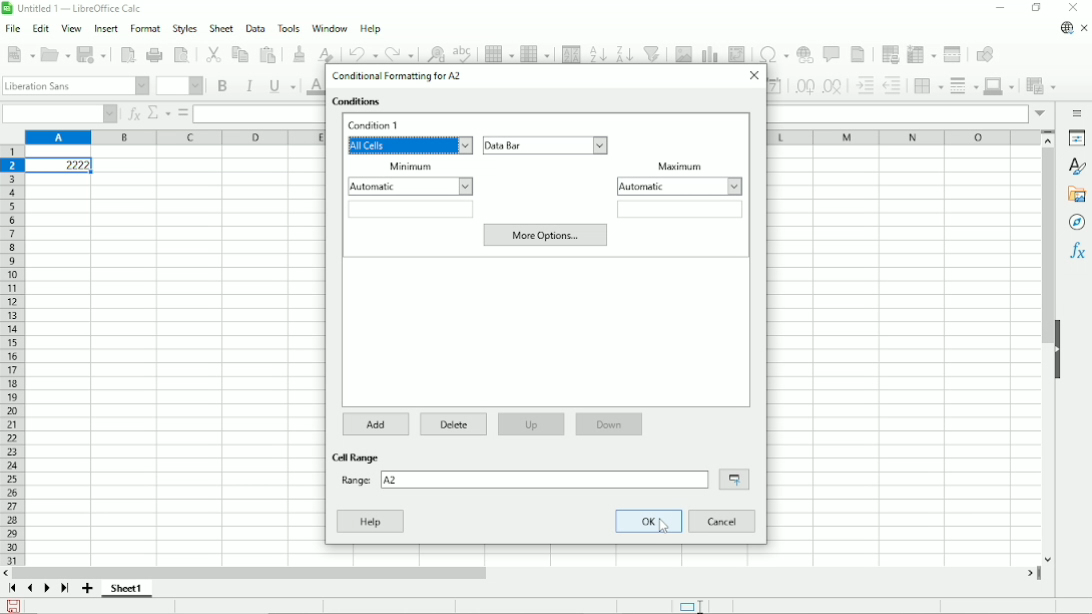 The image size is (1092, 614). I want to click on Find and replace, so click(435, 52).